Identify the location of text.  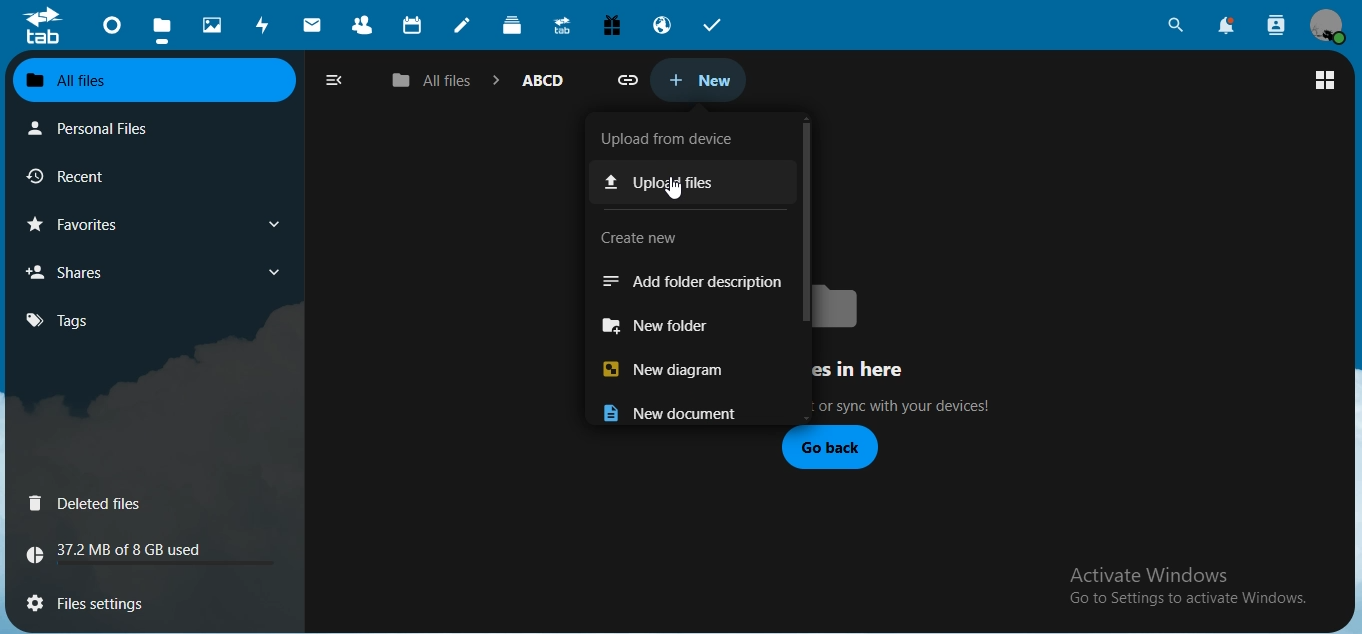
(909, 386).